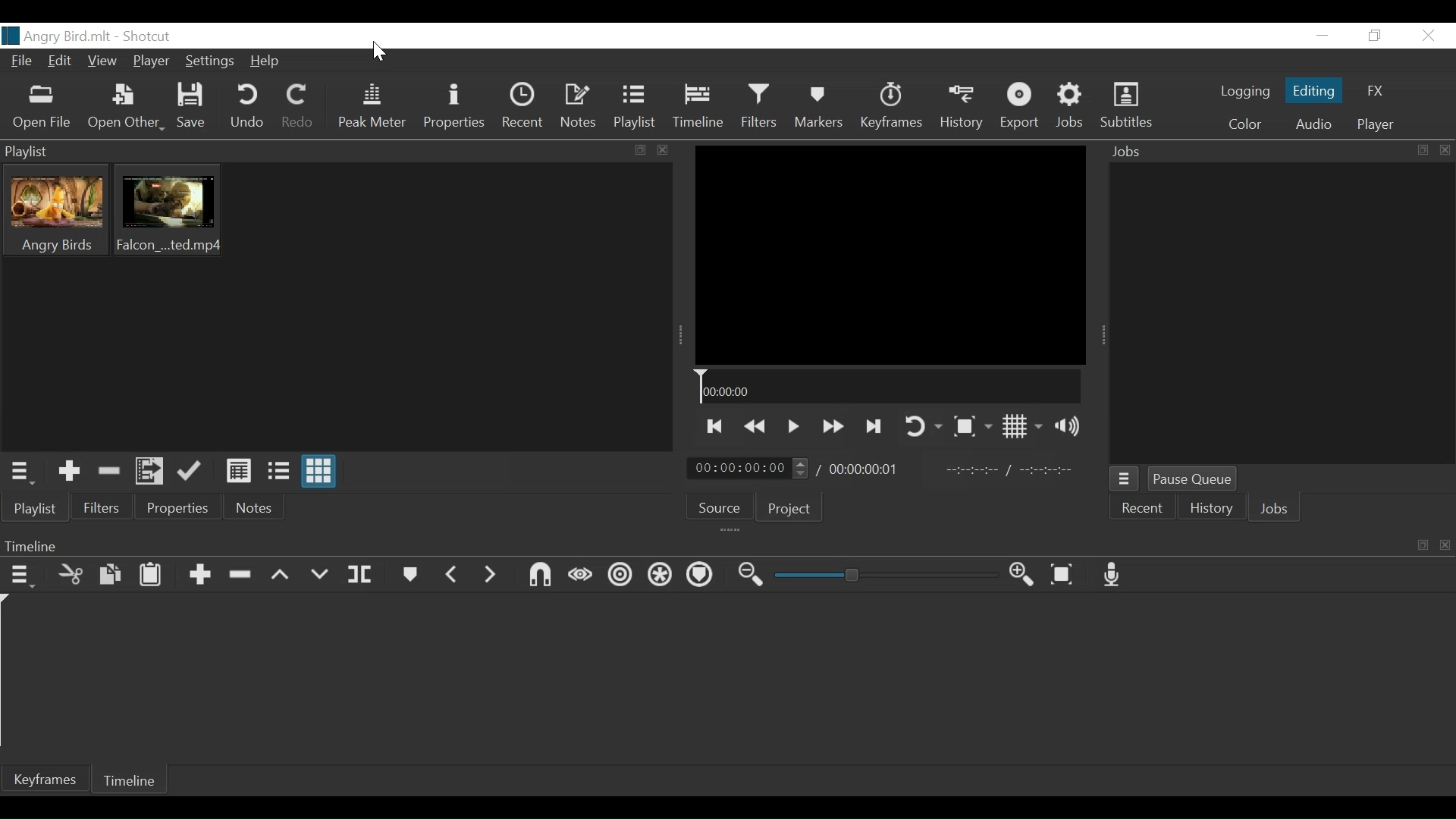 This screenshot has width=1456, height=819. What do you see at coordinates (1112, 575) in the screenshot?
I see `Record audio` at bounding box center [1112, 575].